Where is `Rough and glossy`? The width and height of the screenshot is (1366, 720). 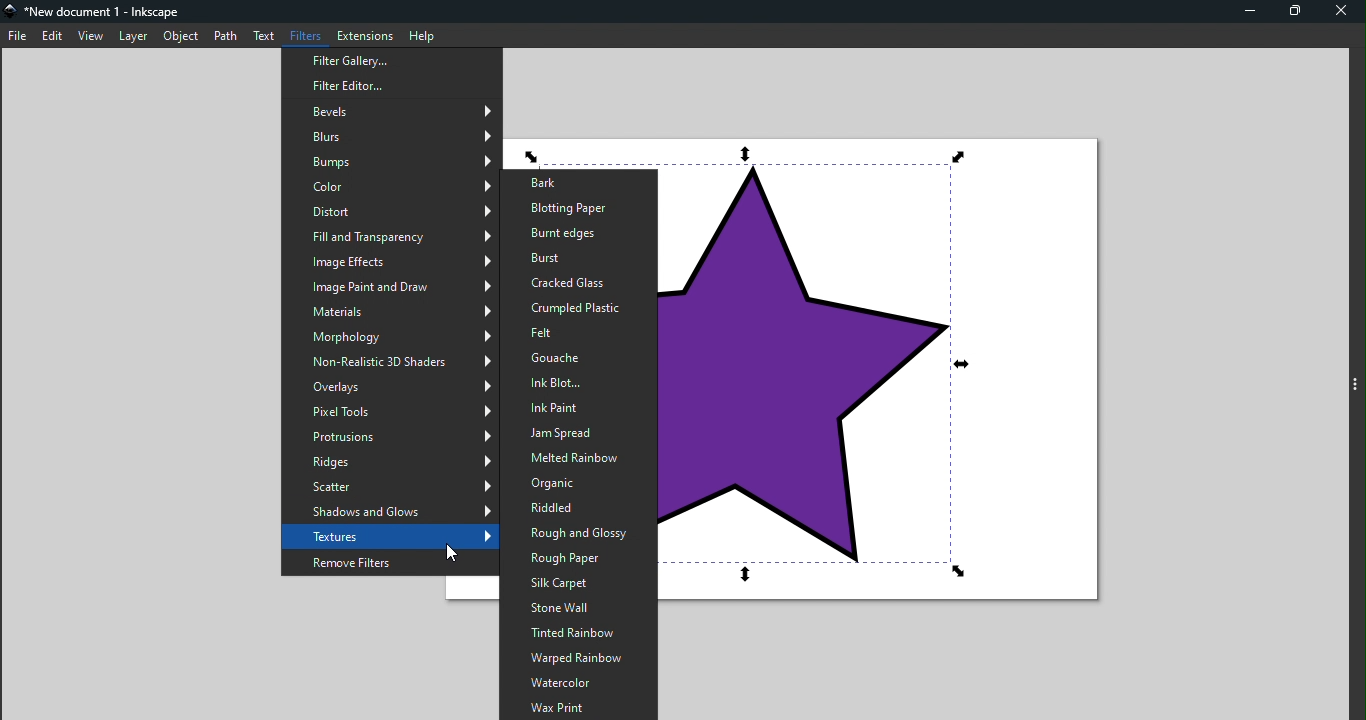 Rough and glossy is located at coordinates (574, 535).